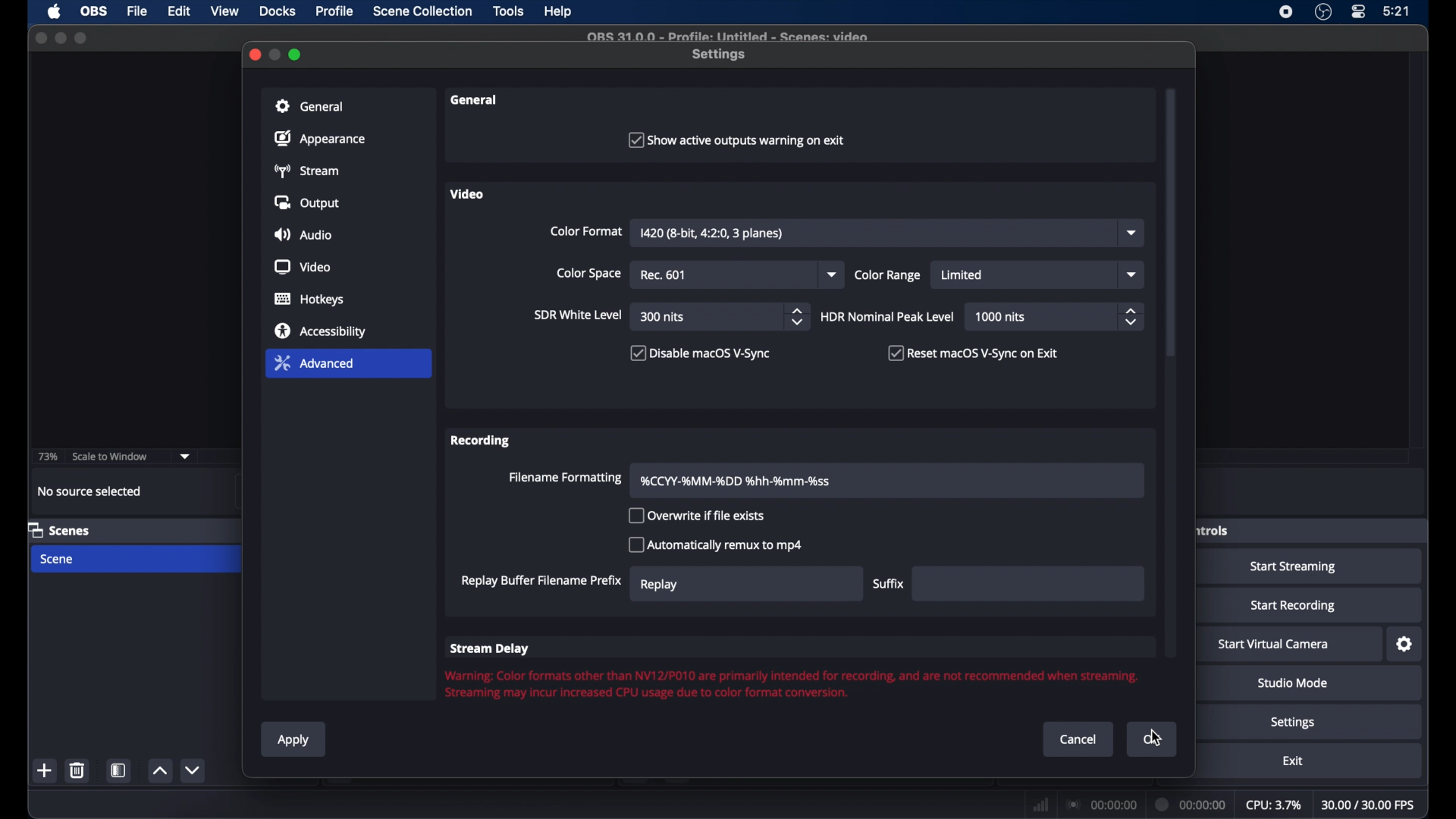 The image size is (1456, 819). I want to click on video, so click(302, 267).